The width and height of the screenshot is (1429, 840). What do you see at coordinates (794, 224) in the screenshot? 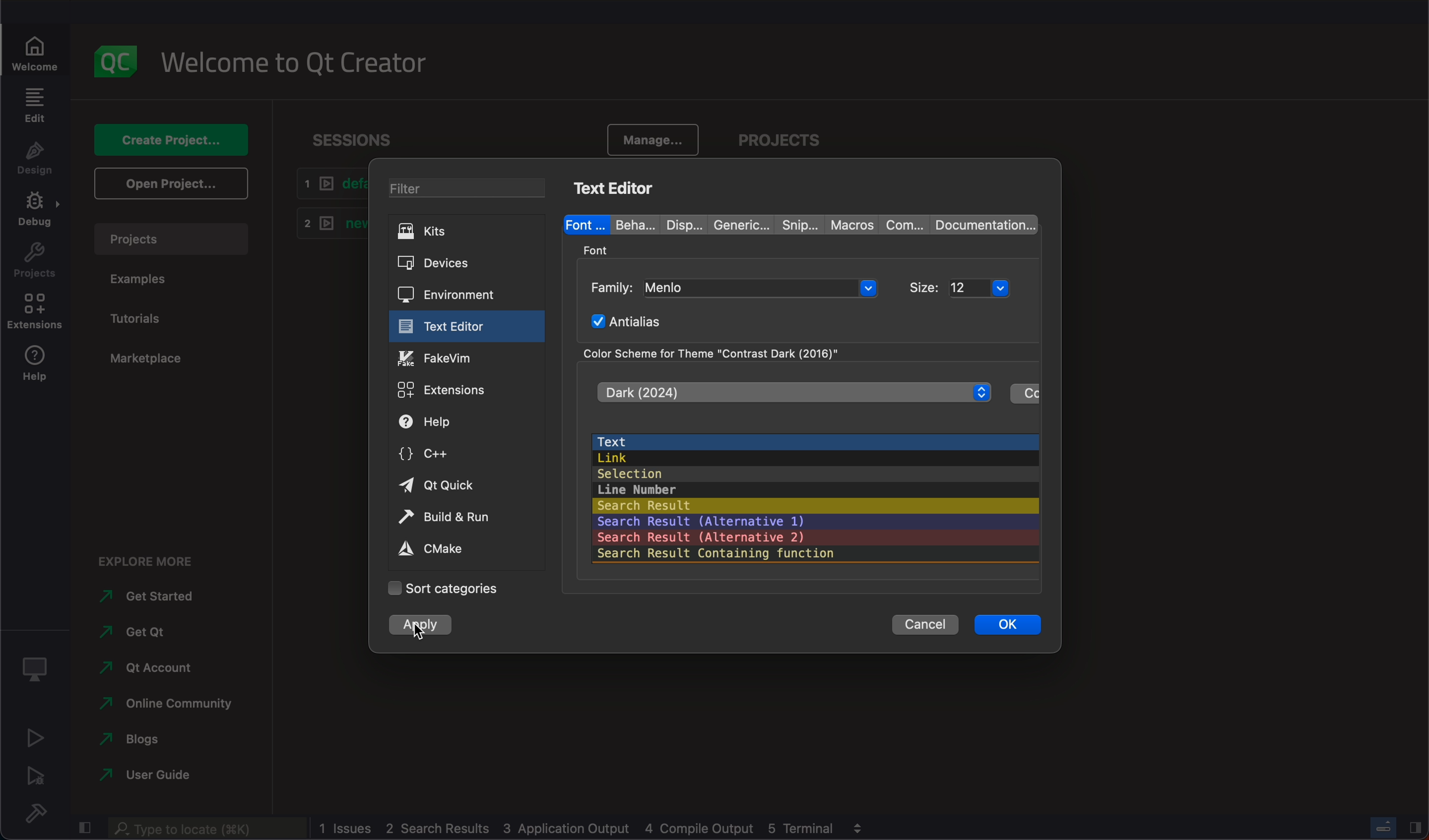
I see `snip` at bounding box center [794, 224].